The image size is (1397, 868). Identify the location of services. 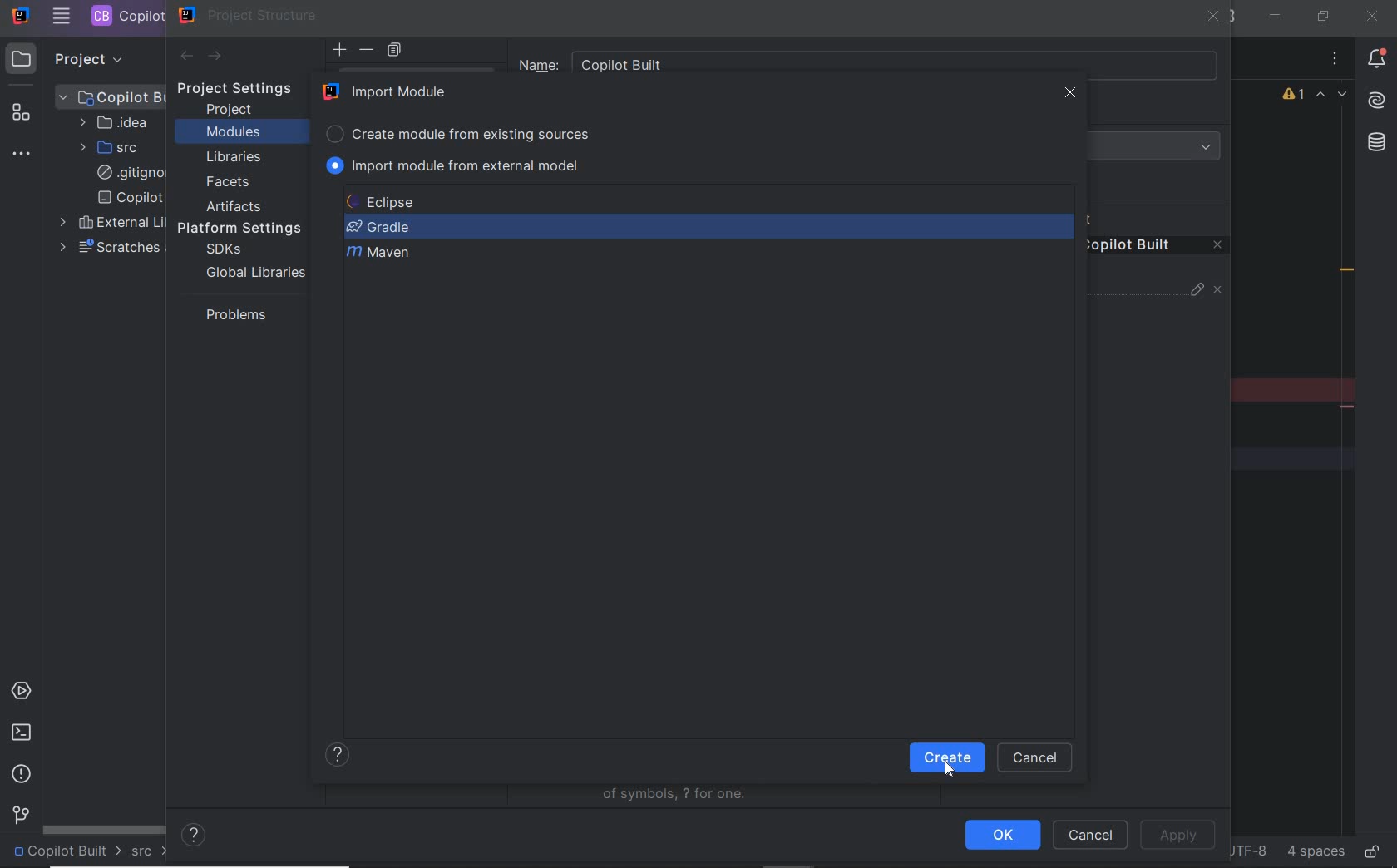
(23, 693).